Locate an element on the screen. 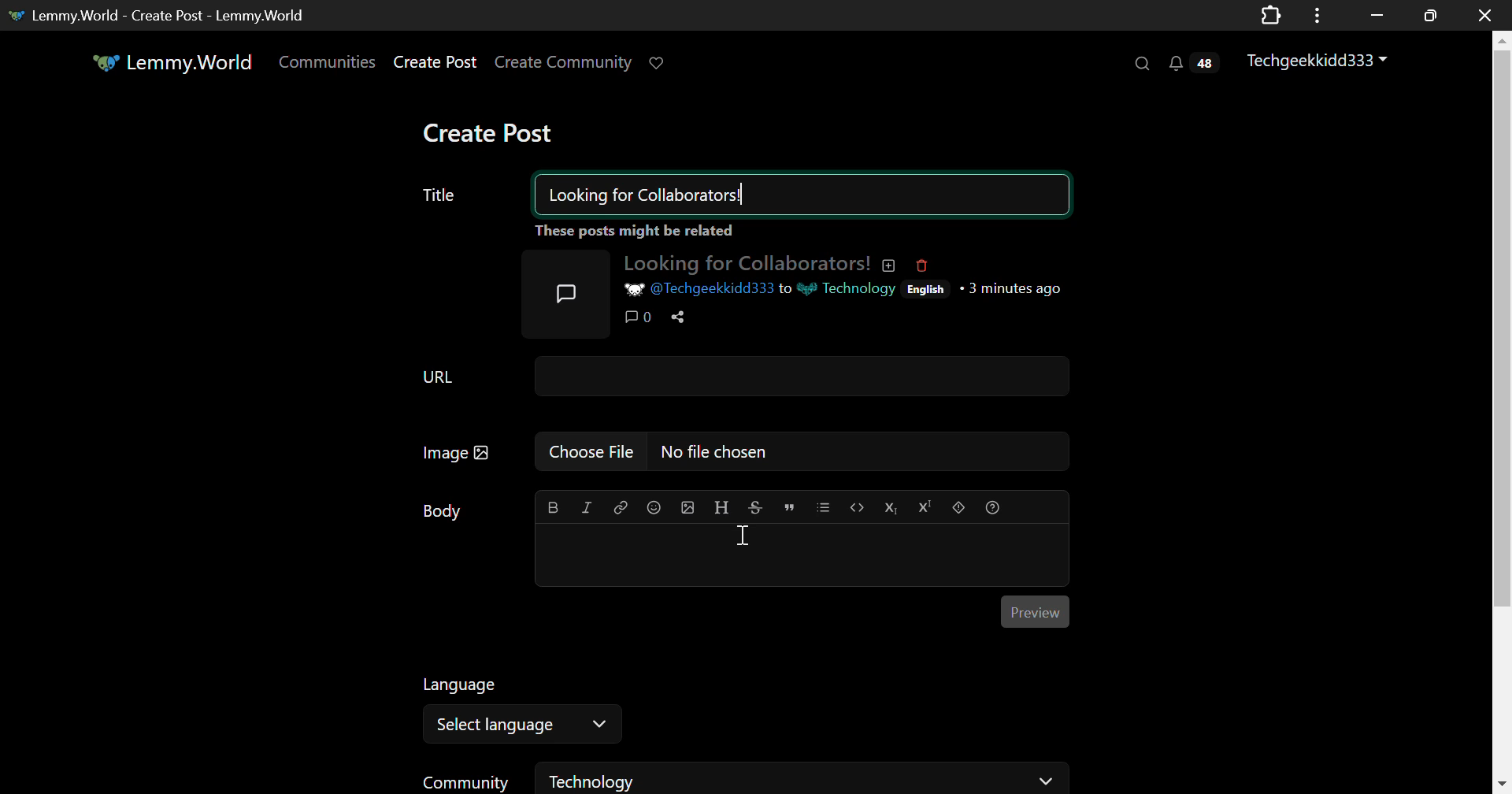 Image resolution: width=1512 pixels, height=794 pixels. Lemmy.World - Create Post - Lemmy.World is located at coordinates (169, 14).